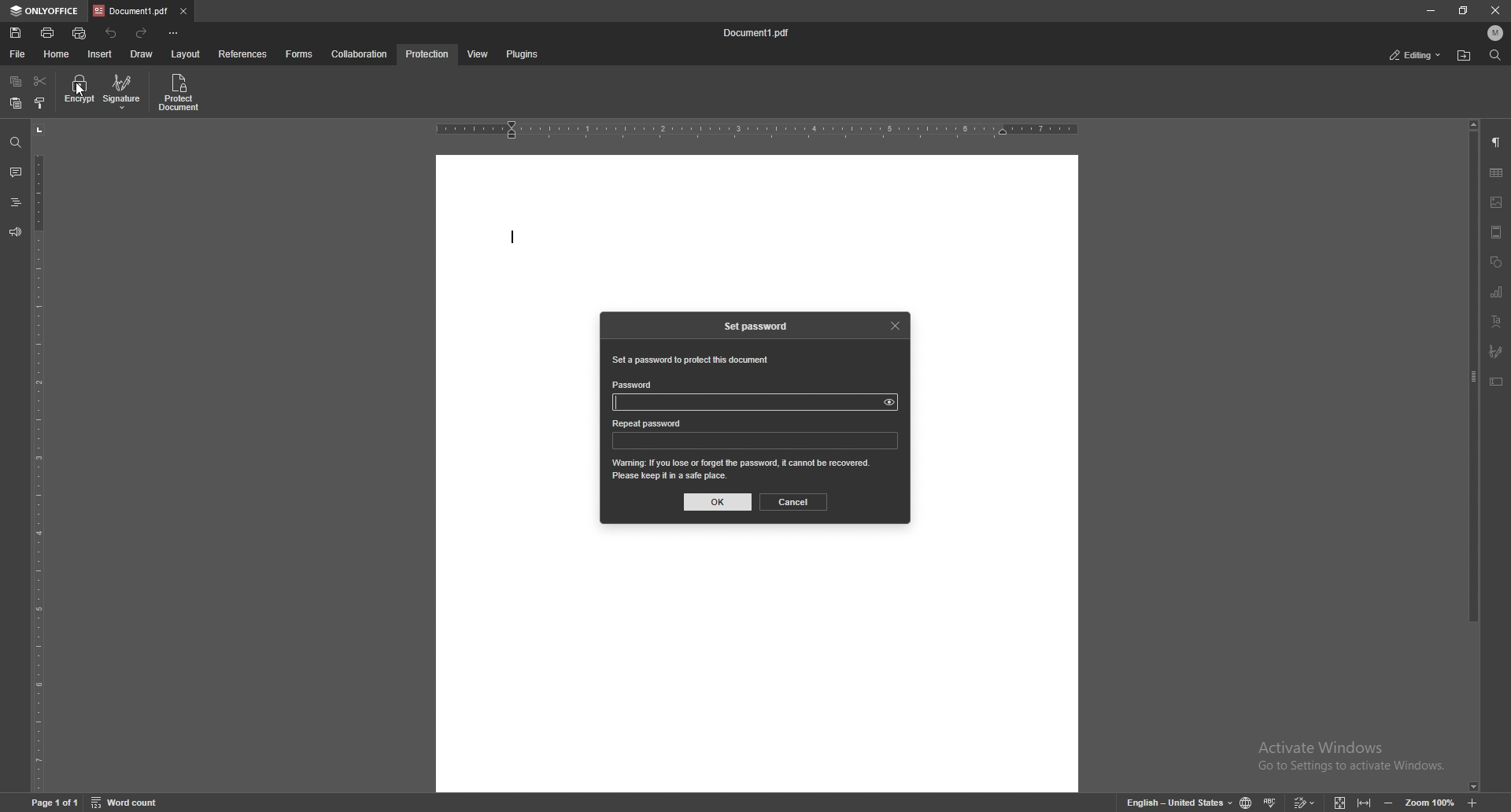 The height and width of the screenshot is (812, 1511). I want to click on copy style, so click(40, 102).